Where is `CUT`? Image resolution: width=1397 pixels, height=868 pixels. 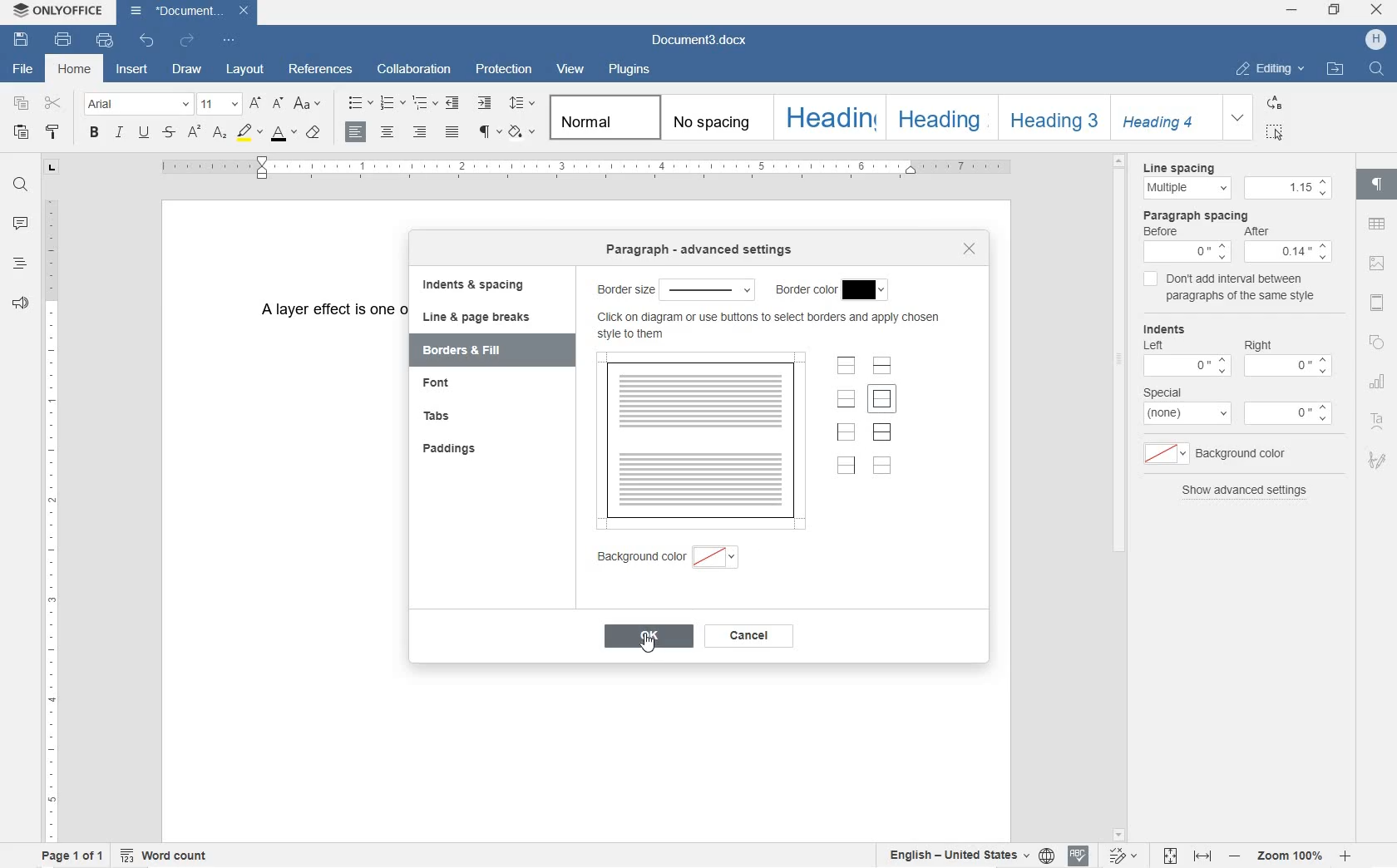 CUT is located at coordinates (56, 105).